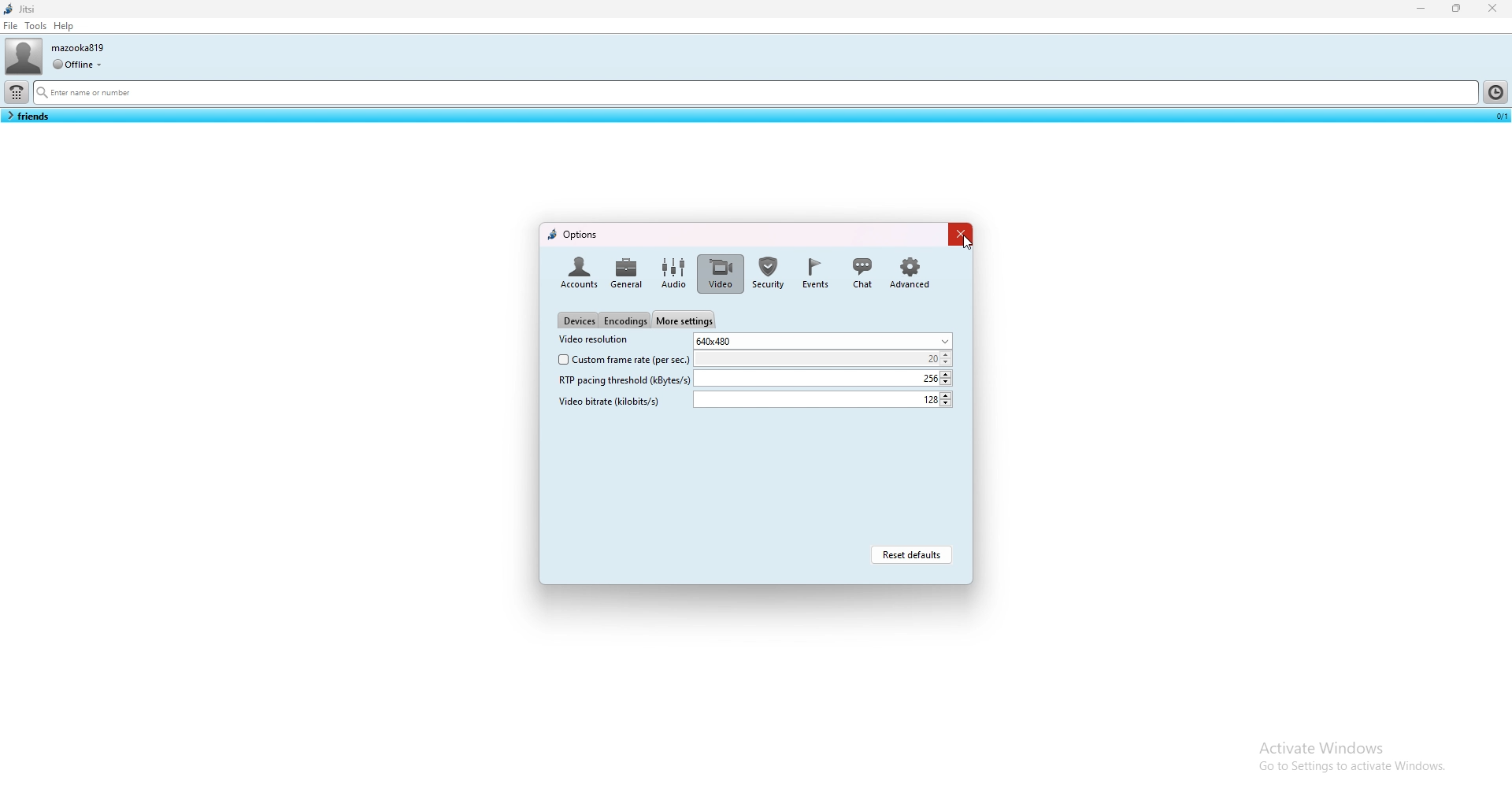  What do you see at coordinates (1352, 772) in the screenshot?
I see `Go to settings to activate Windows.` at bounding box center [1352, 772].